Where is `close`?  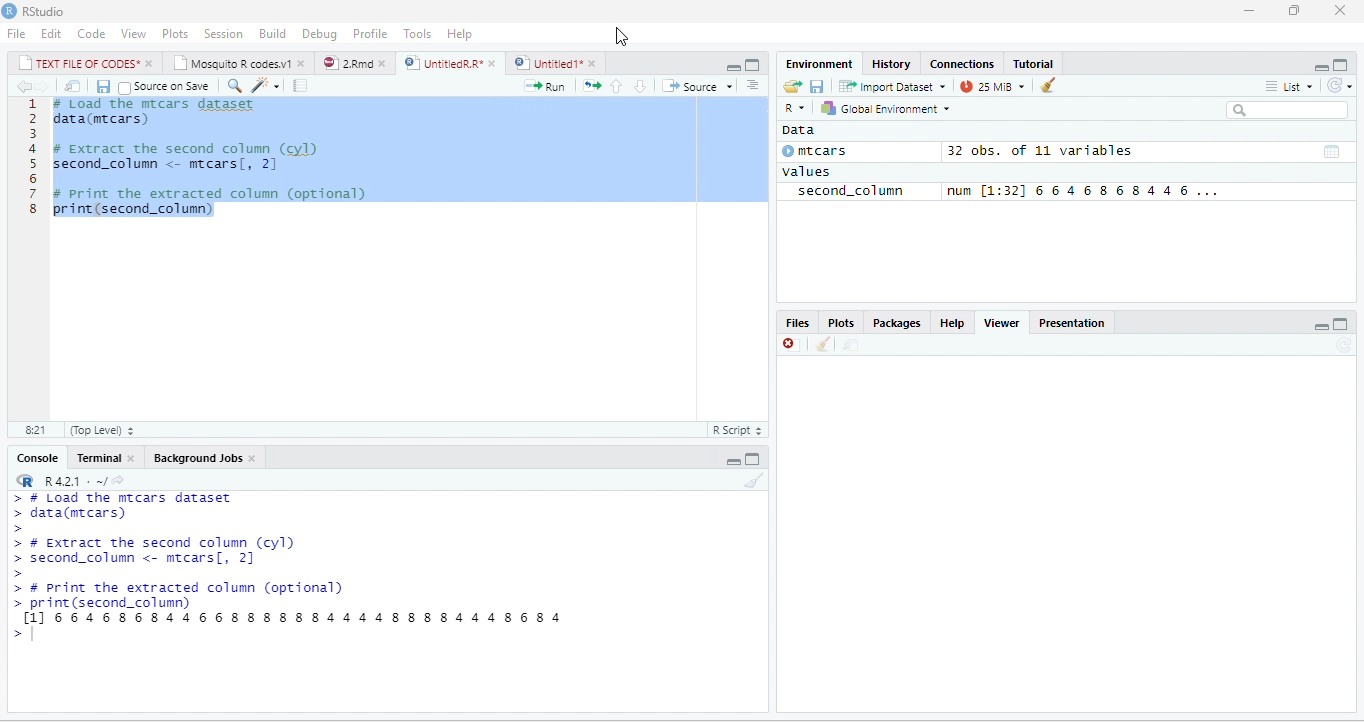 close is located at coordinates (150, 62).